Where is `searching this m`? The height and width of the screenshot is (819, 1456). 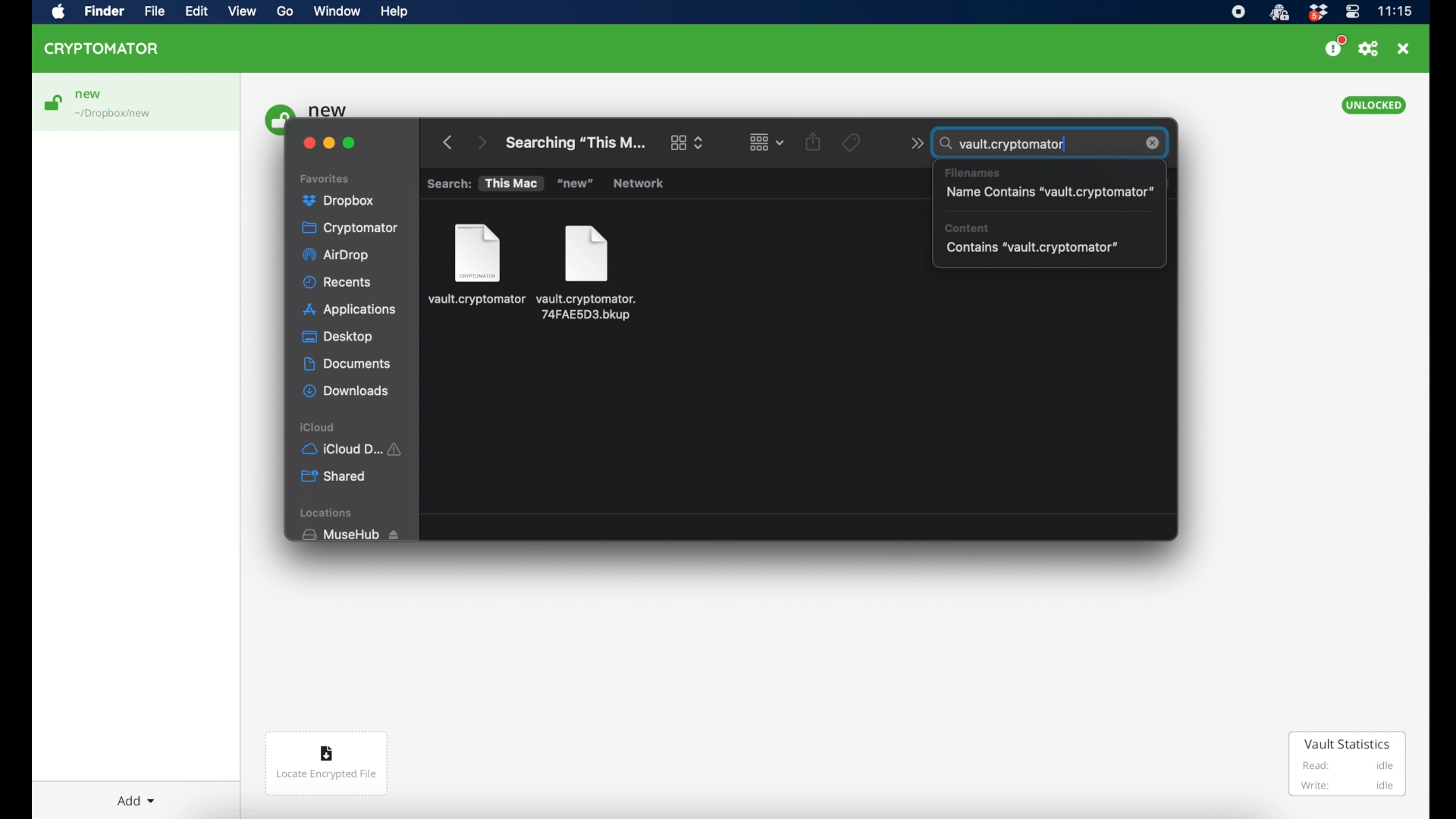
searching this m is located at coordinates (576, 143).